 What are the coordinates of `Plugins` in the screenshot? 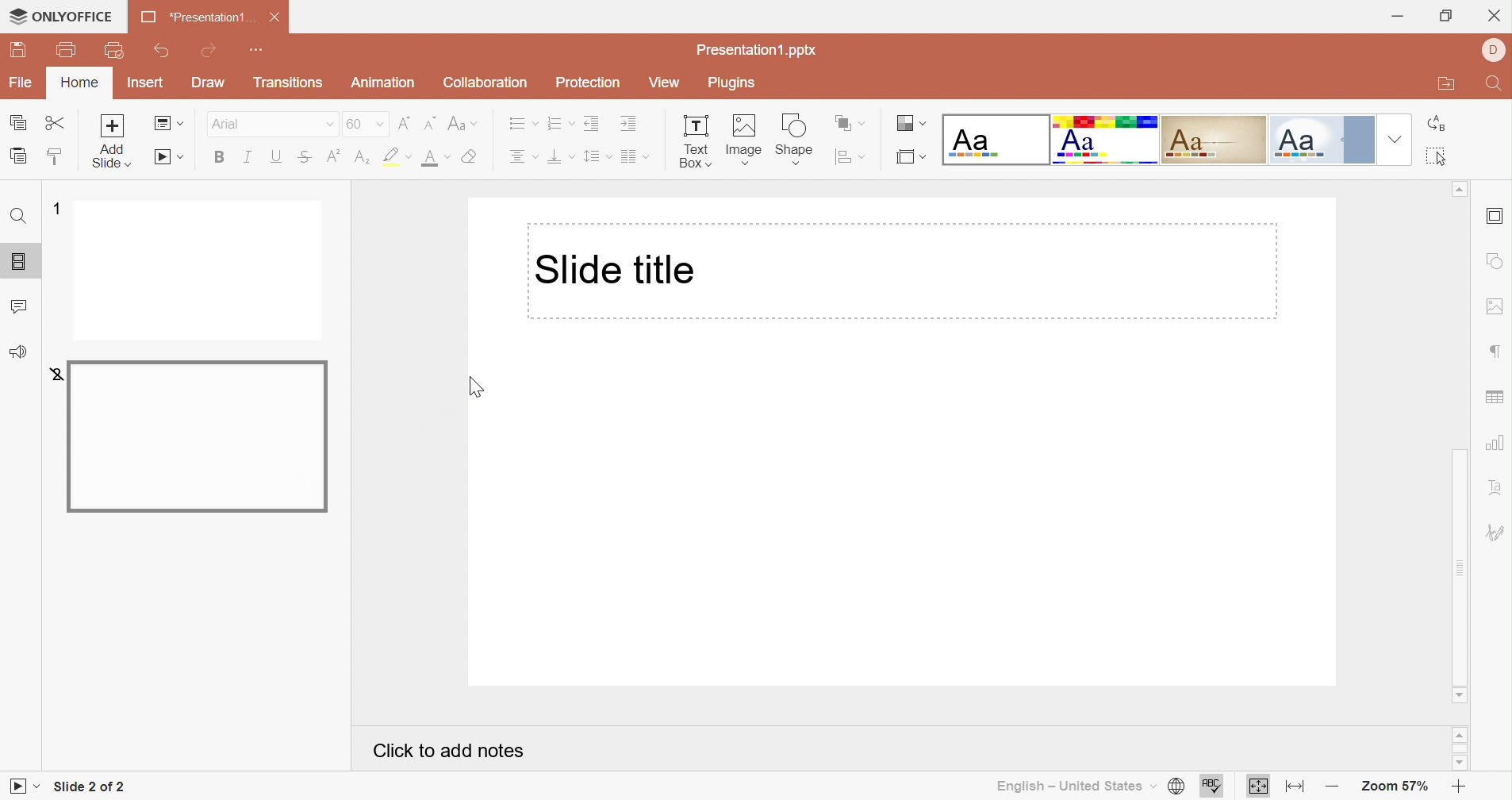 It's located at (730, 83).